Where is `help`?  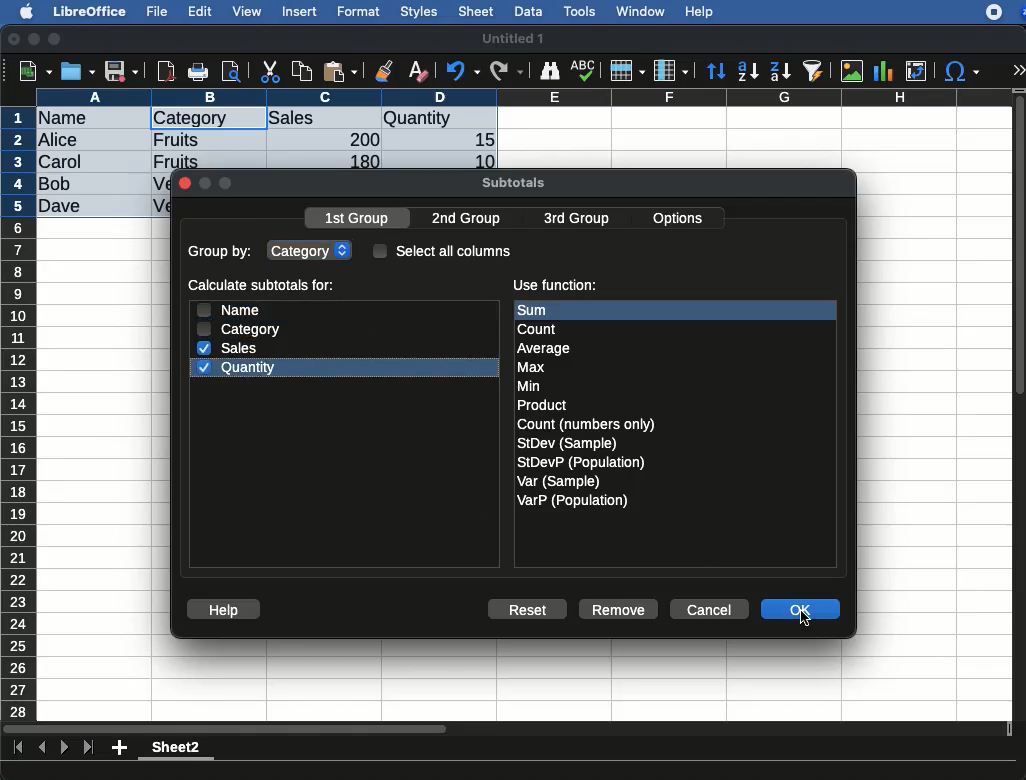
help is located at coordinates (224, 610).